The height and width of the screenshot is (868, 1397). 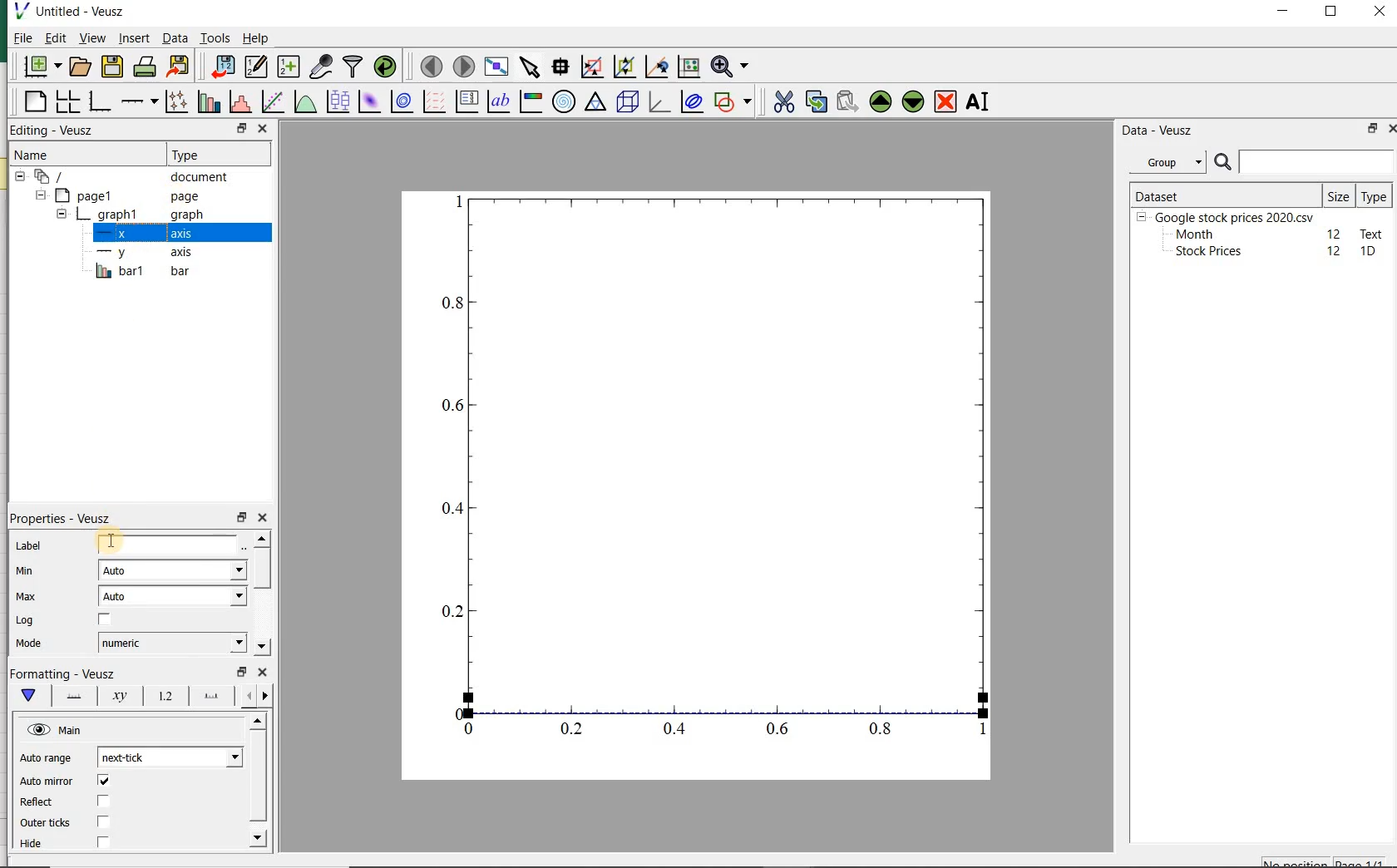 What do you see at coordinates (102, 843) in the screenshot?
I see `check/uncheck` at bounding box center [102, 843].